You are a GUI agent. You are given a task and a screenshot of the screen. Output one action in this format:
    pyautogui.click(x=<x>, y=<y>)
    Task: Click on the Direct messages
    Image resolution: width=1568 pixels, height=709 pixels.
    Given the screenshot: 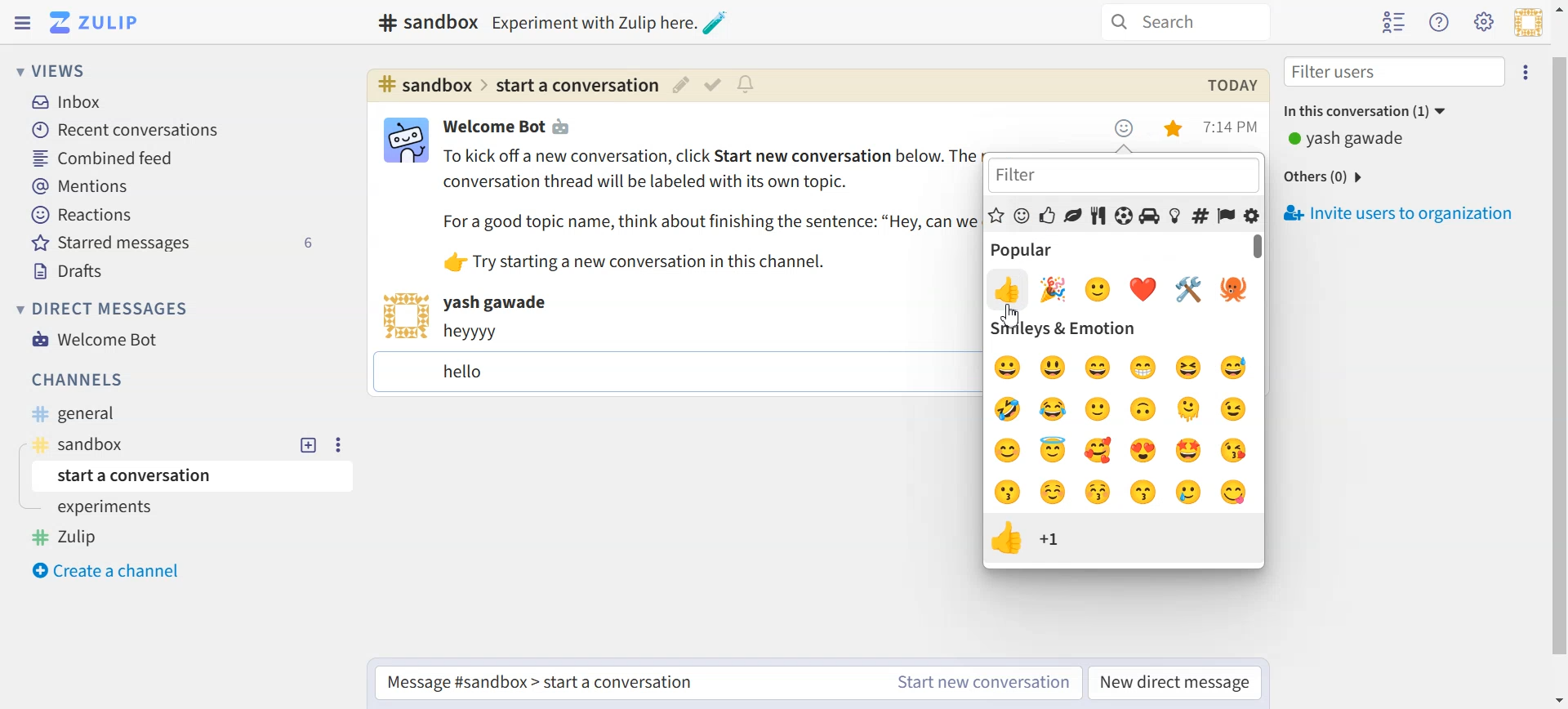 What is the action you would take?
    pyautogui.click(x=106, y=309)
    